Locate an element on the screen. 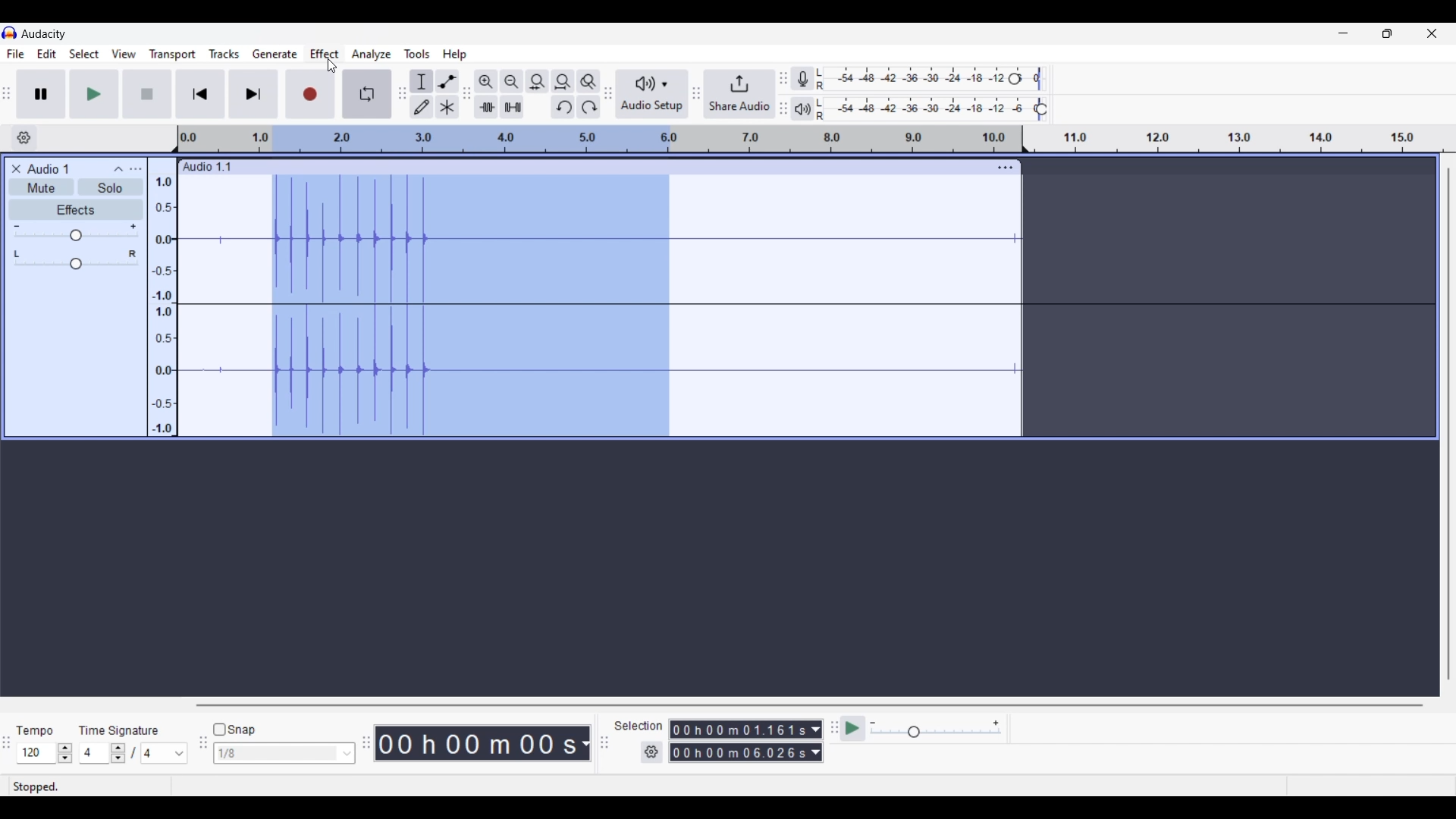 The width and height of the screenshot is (1456, 819). Pan to left is located at coordinates (17, 254).